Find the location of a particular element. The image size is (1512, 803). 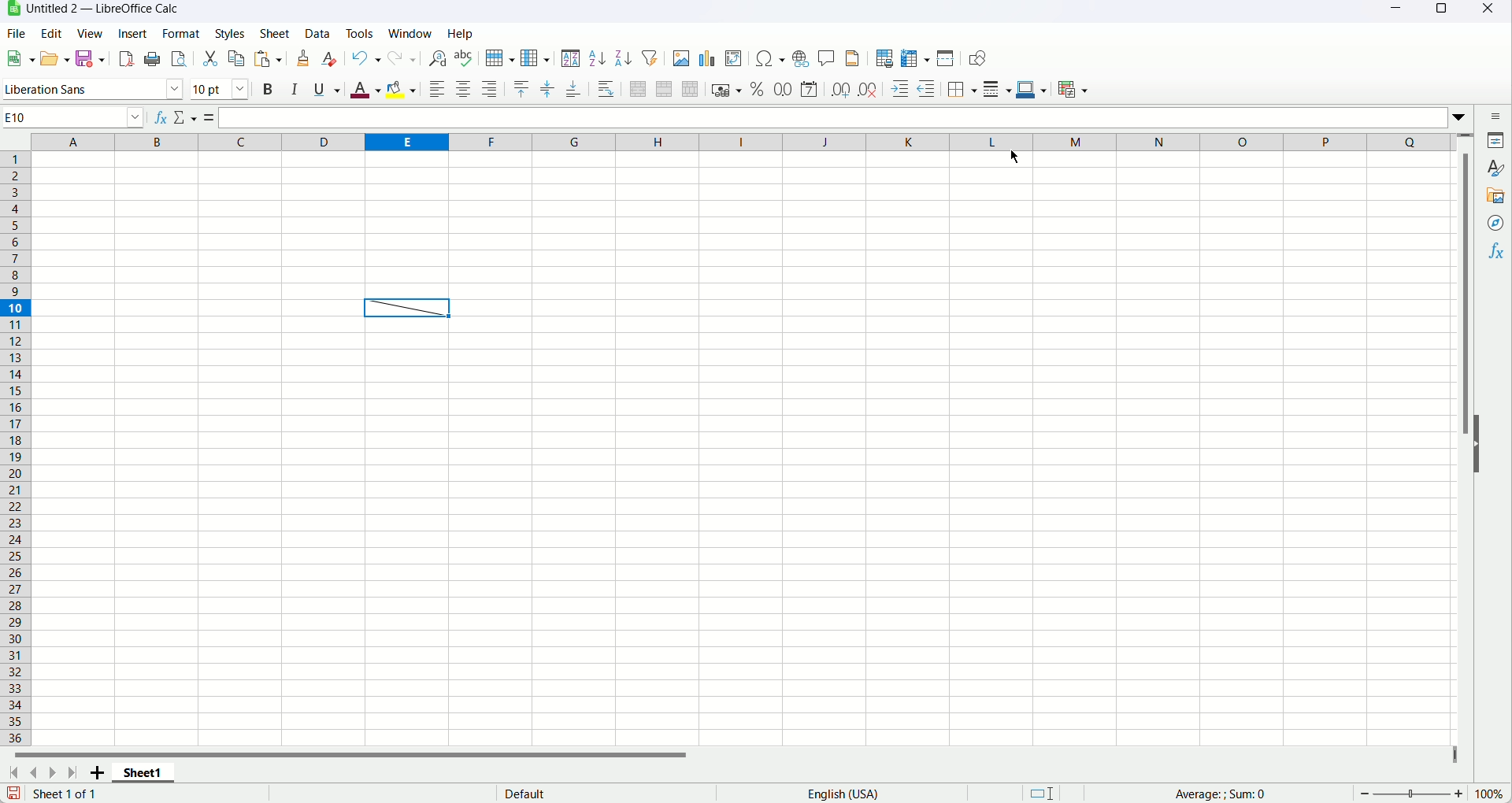

Format as number is located at coordinates (784, 87).